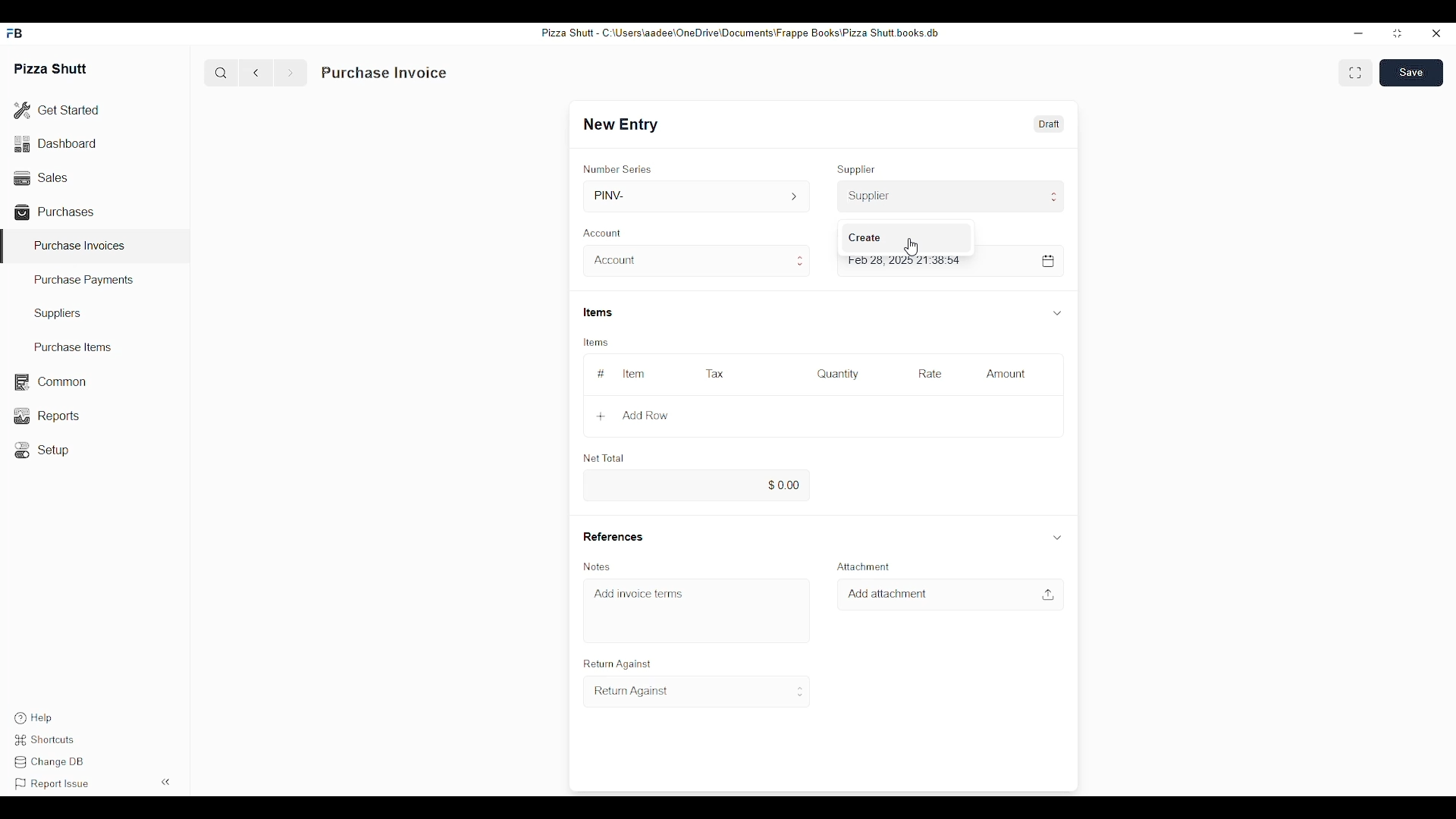  What do you see at coordinates (1437, 34) in the screenshot?
I see `close` at bounding box center [1437, 34].